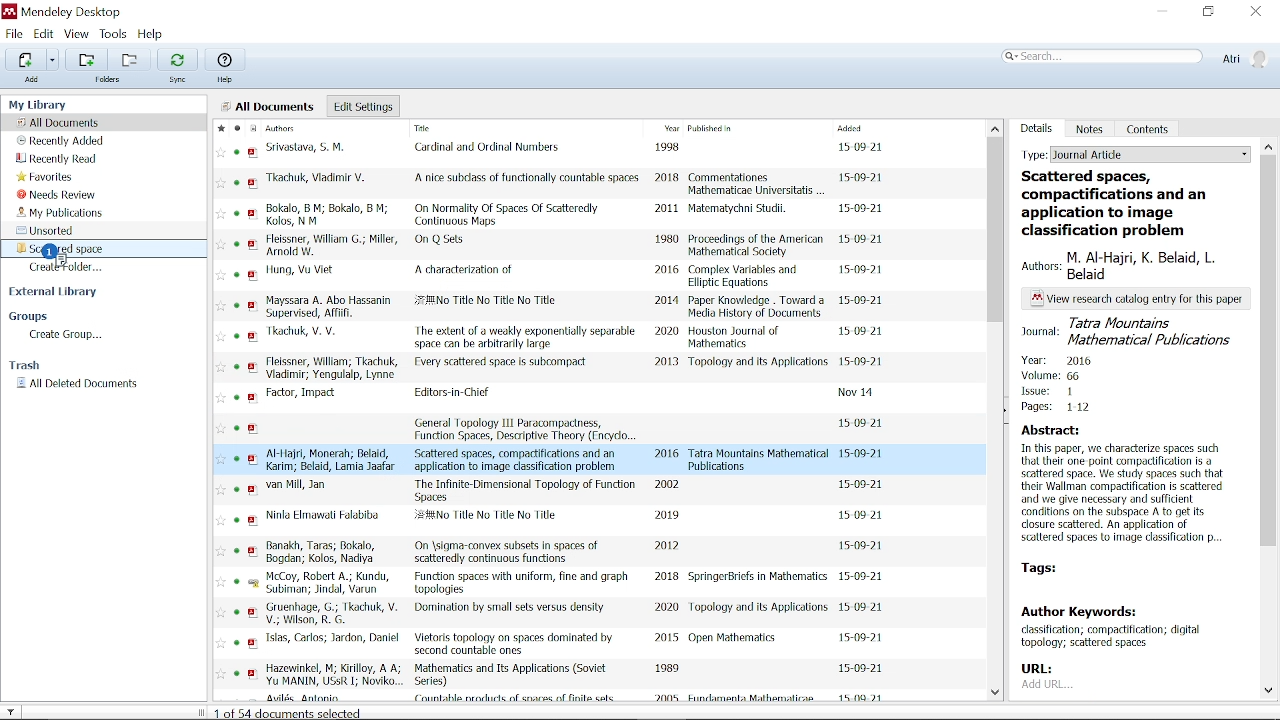 This screenshot has width=1280, height=720. Describe the element at coordinates (509, 610) in the screenshot. I see `title` at that location.